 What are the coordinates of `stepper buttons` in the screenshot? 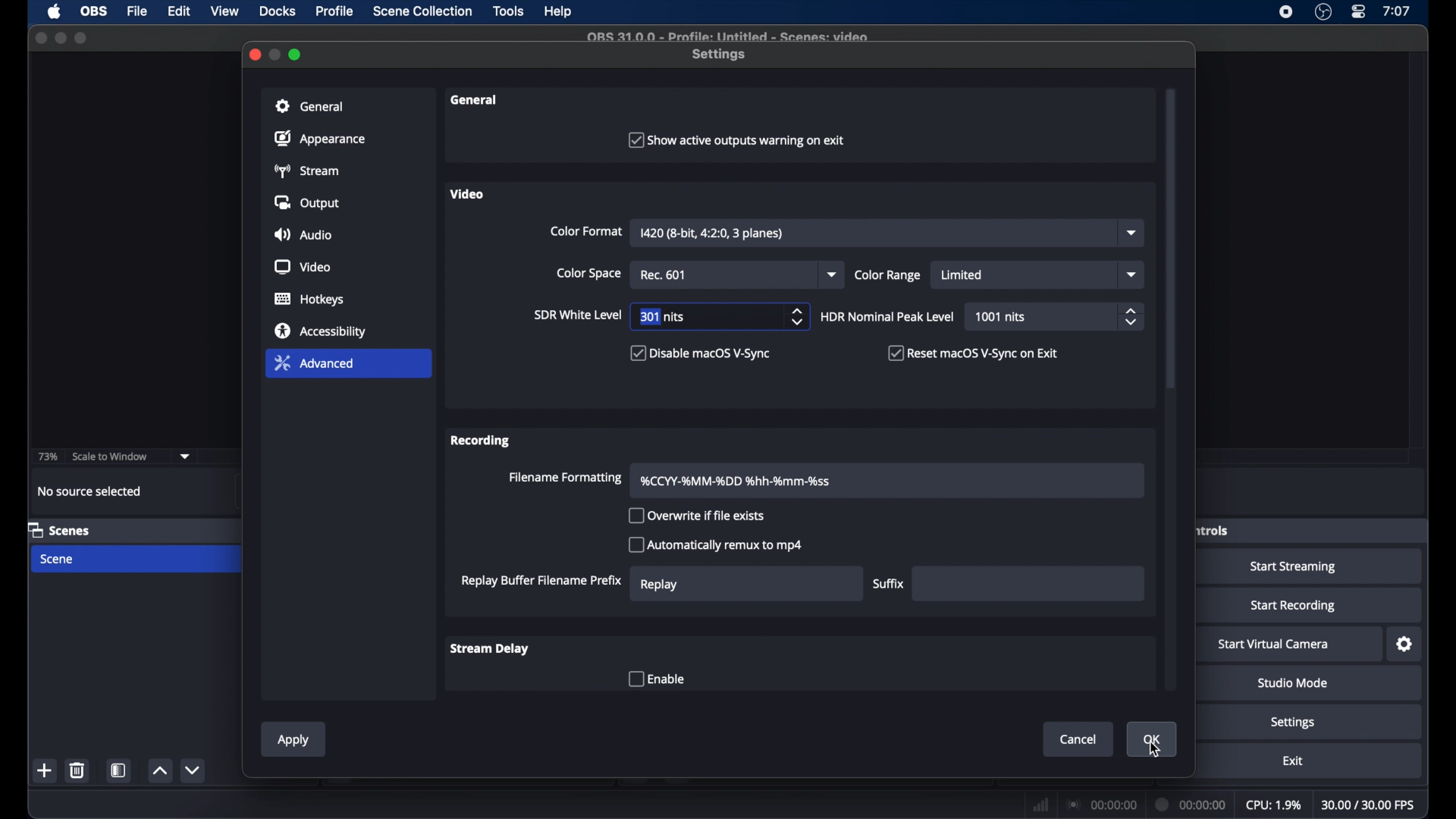 It's located at (1132, 317).